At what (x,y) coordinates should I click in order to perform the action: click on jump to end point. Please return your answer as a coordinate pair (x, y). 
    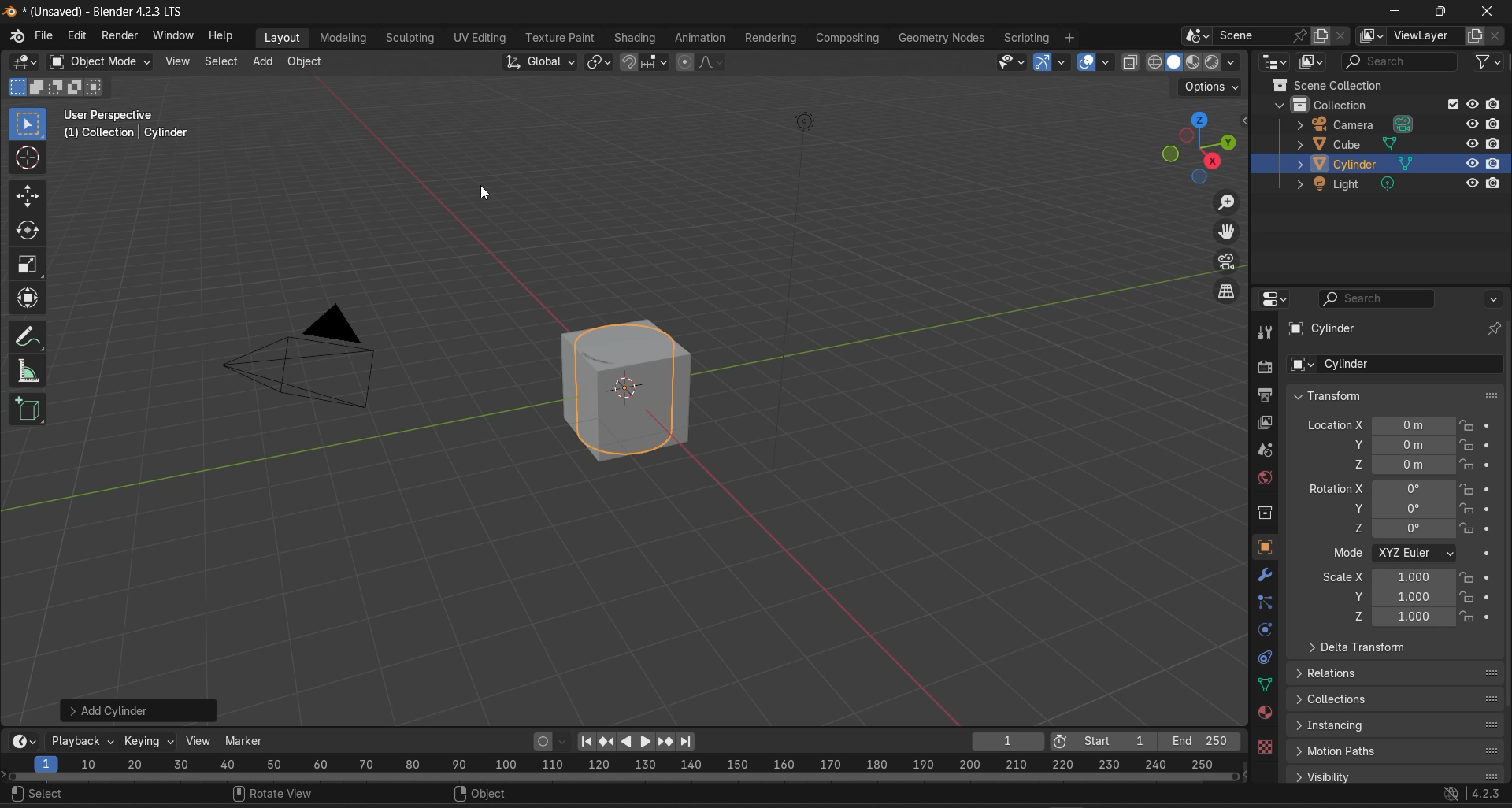
    Looking at the image, I should click on (689, 740).